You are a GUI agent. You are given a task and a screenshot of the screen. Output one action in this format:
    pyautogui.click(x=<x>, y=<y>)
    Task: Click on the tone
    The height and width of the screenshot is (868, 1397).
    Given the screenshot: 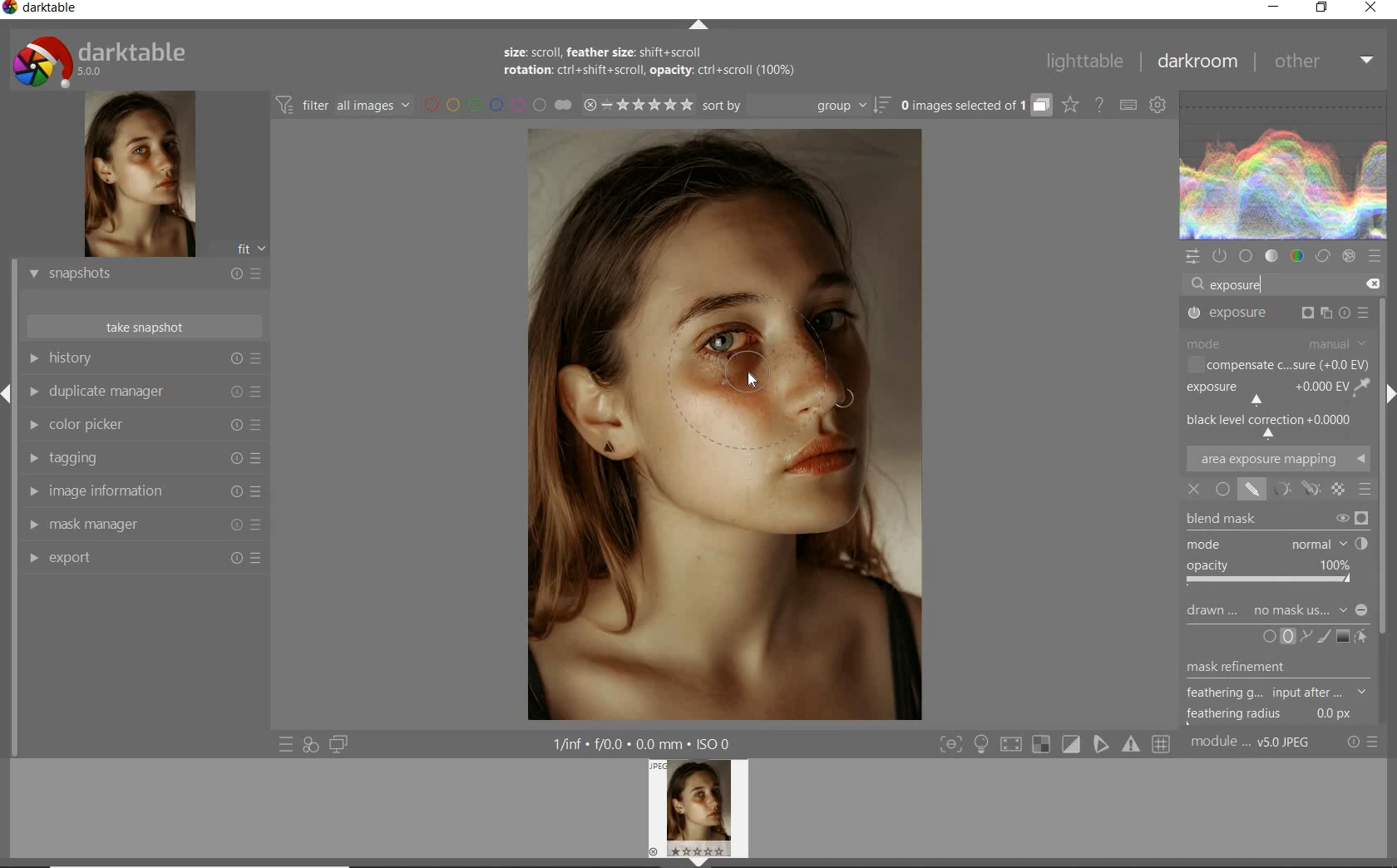 What is the action you would take?
    pyautogui.click(x=1271, y=256)
    